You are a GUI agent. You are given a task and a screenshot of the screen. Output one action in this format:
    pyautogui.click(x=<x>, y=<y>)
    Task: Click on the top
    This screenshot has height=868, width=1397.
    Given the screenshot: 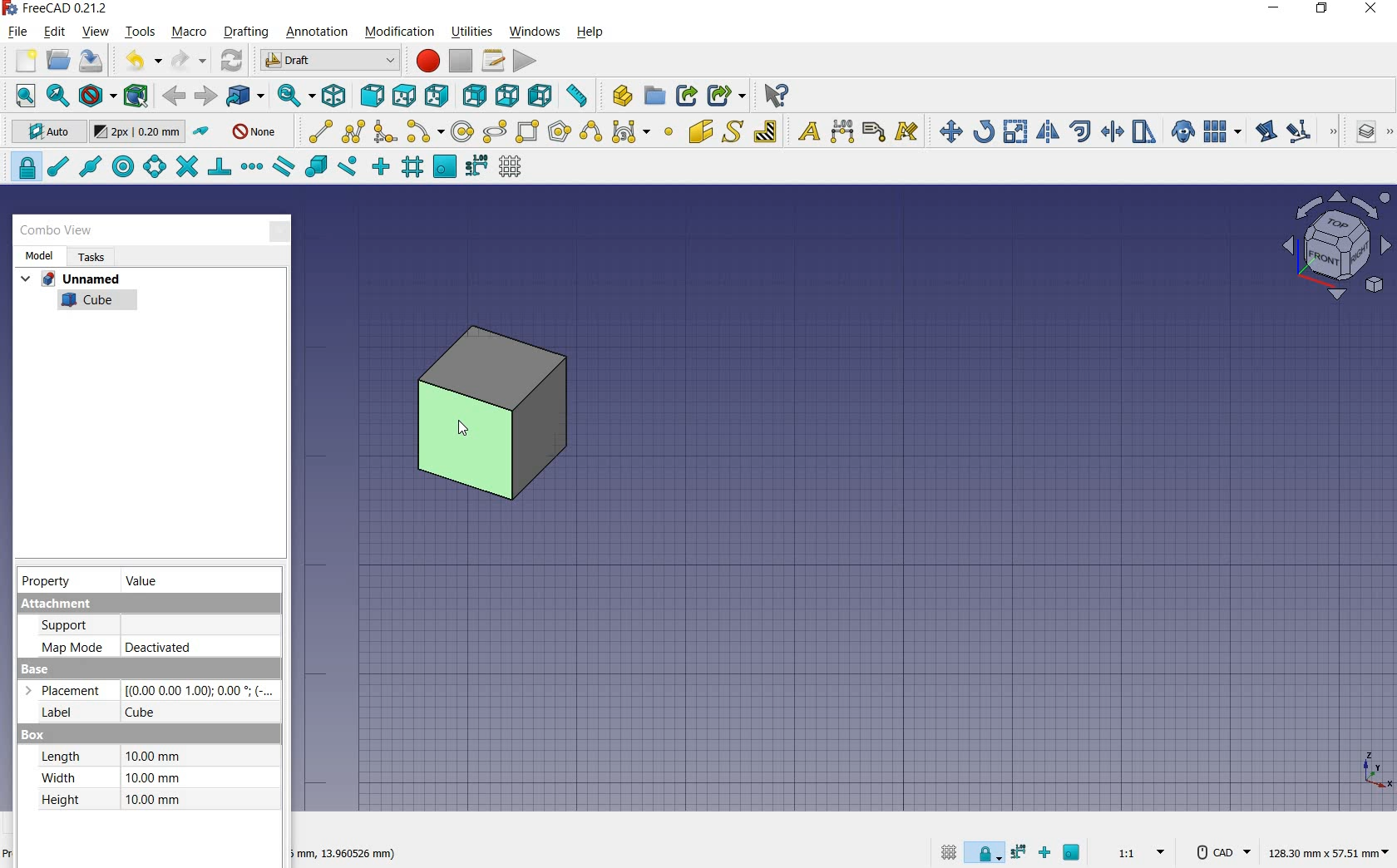 What is the action you would take?
    pyautogui.click(x=407, y=95)
    